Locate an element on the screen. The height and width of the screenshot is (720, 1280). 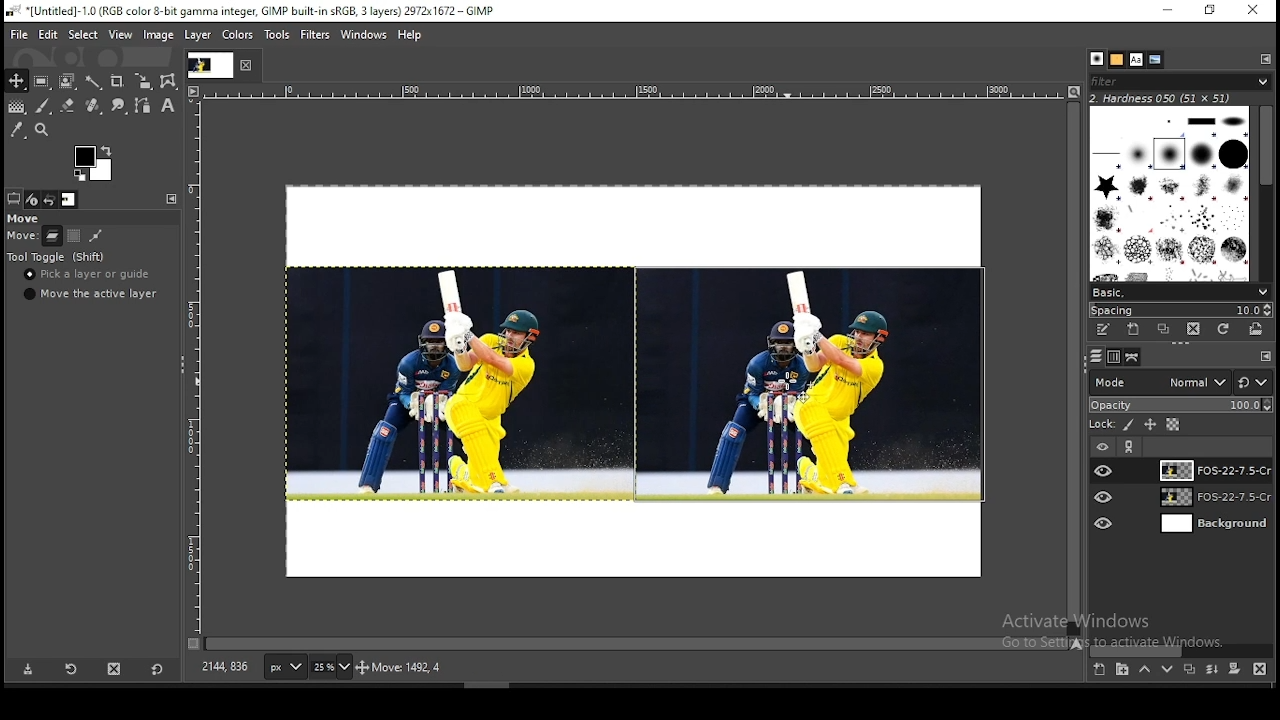
tool is located at coordinates (1266, 357).